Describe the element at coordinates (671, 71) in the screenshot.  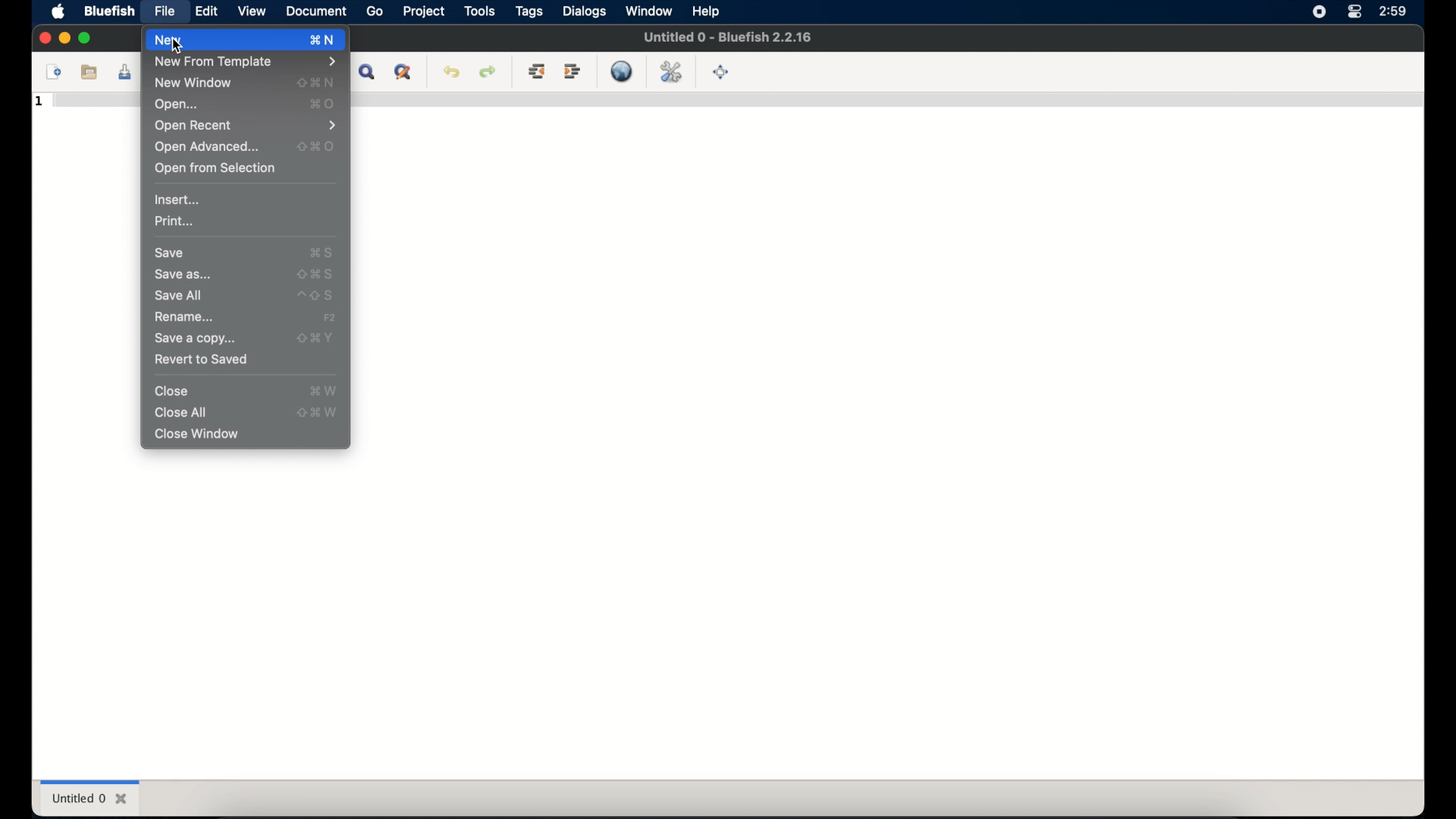
I see `edit in preferences` at that location.